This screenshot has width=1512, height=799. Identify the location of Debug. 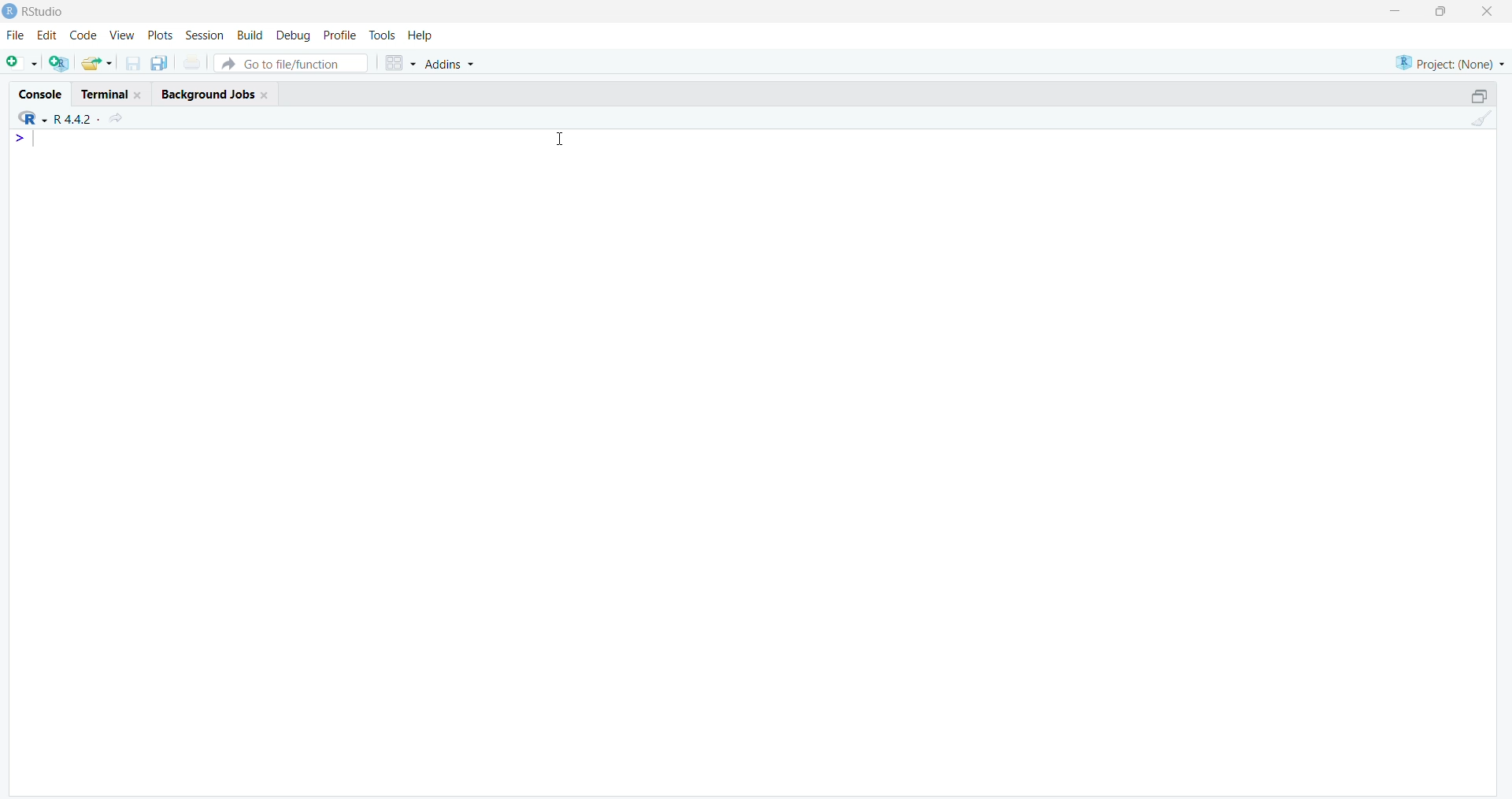
(292, 36).